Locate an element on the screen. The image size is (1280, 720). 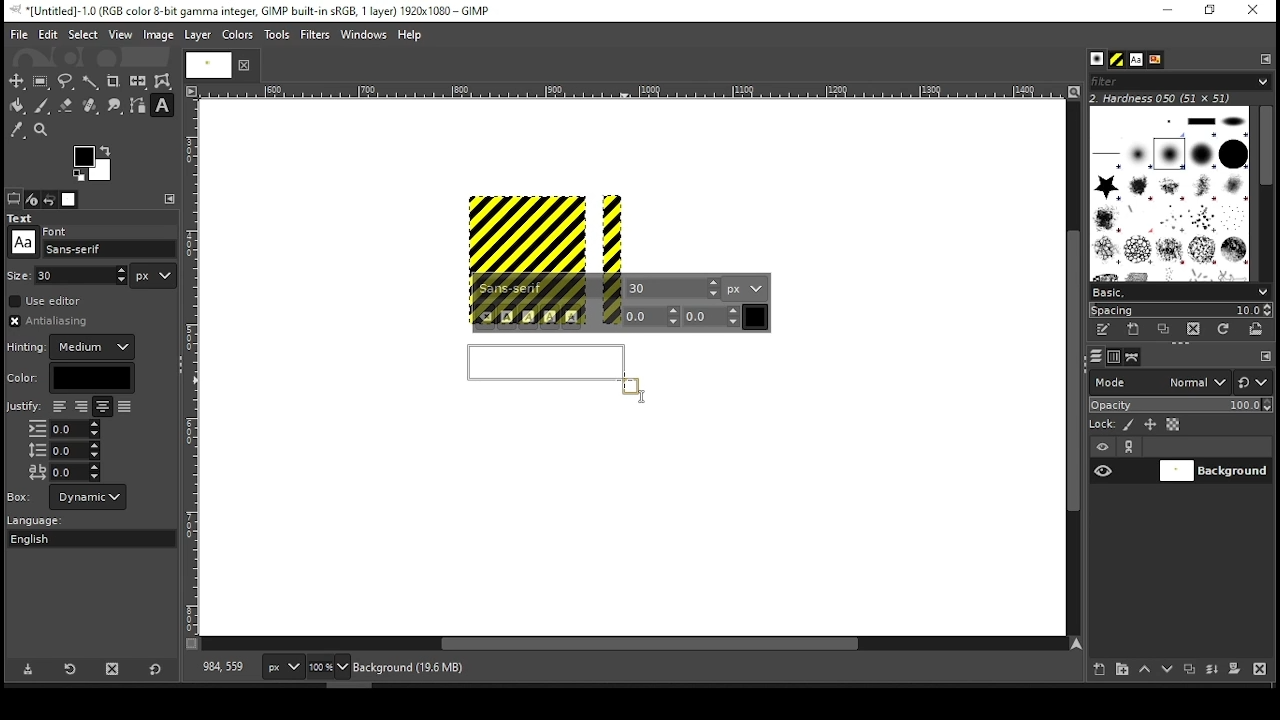
mask  layer is located at coordinates (1234, 670).